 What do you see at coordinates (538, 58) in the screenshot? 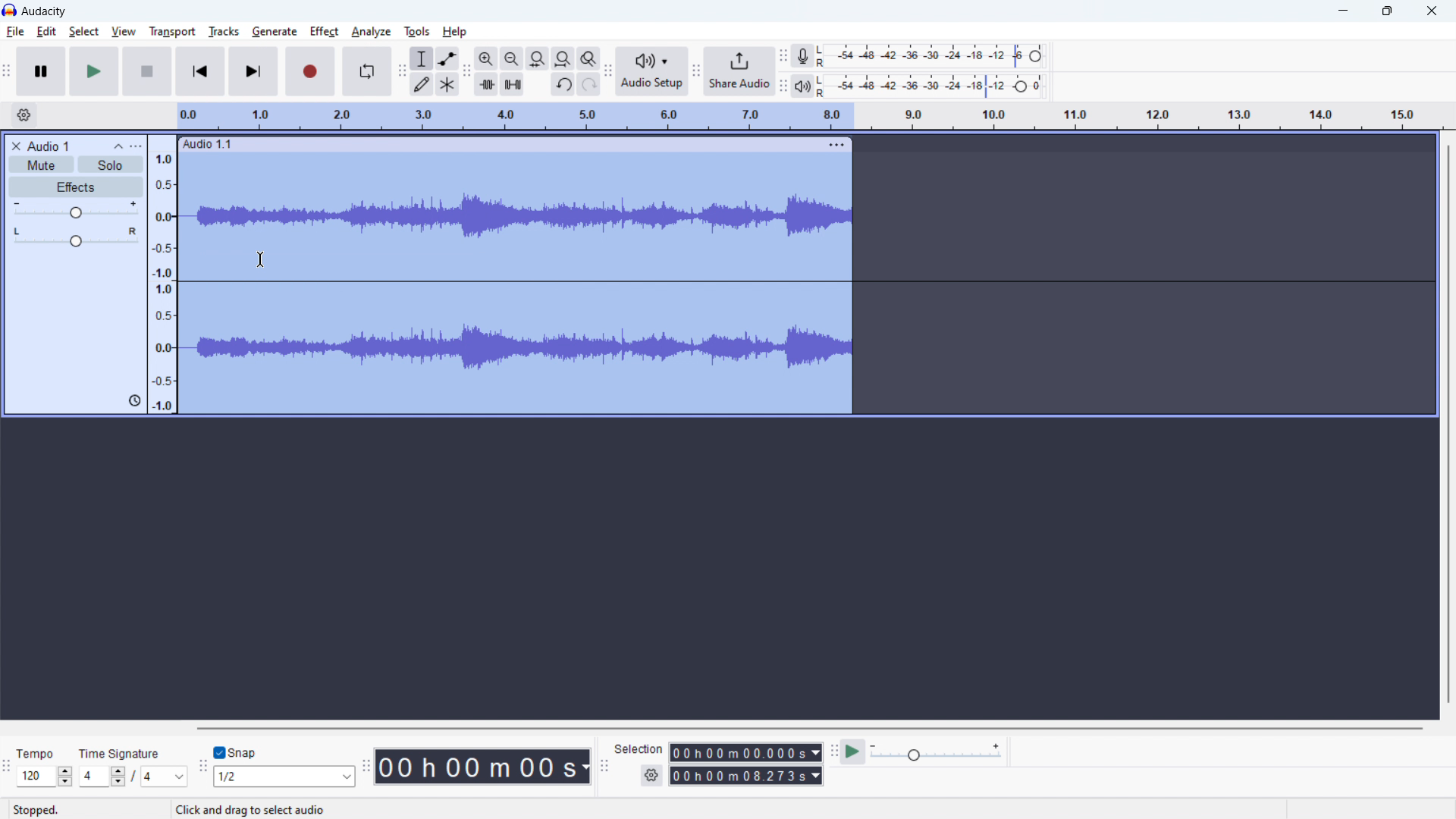
I see `fit selection to width` at bounding box center [538, 58].